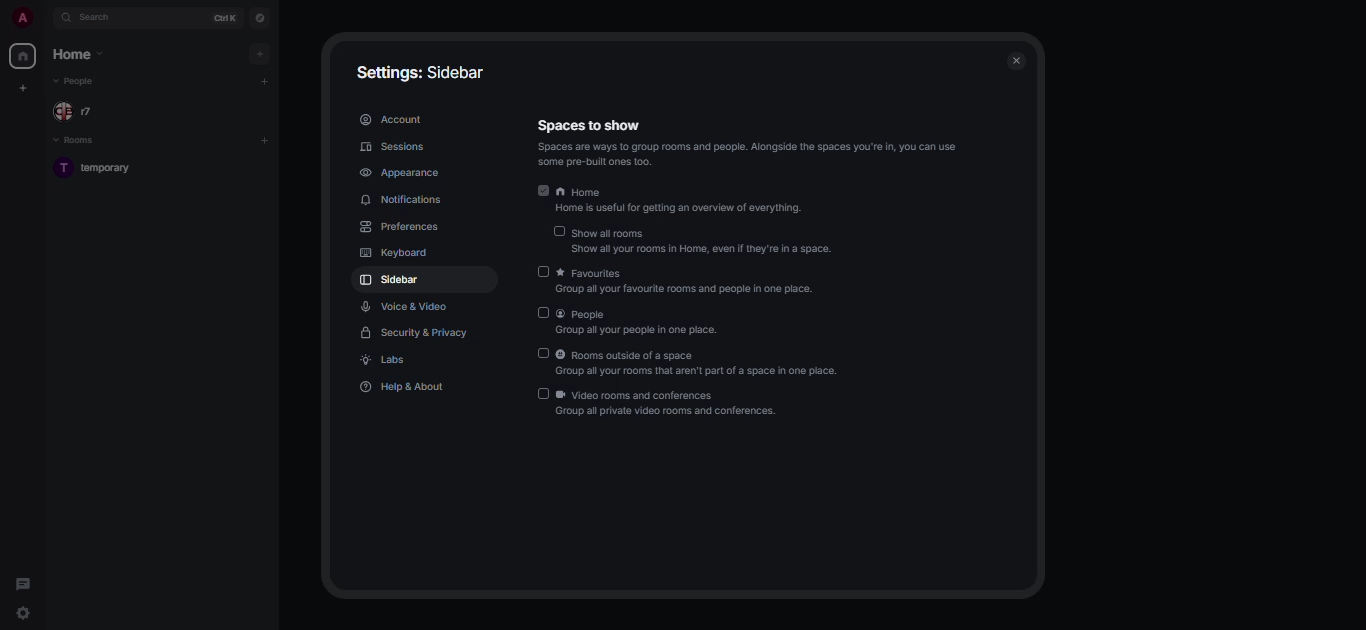 The width and height of the screenshot is (1366, 630). I want to click on favorites, so click(693, 282).